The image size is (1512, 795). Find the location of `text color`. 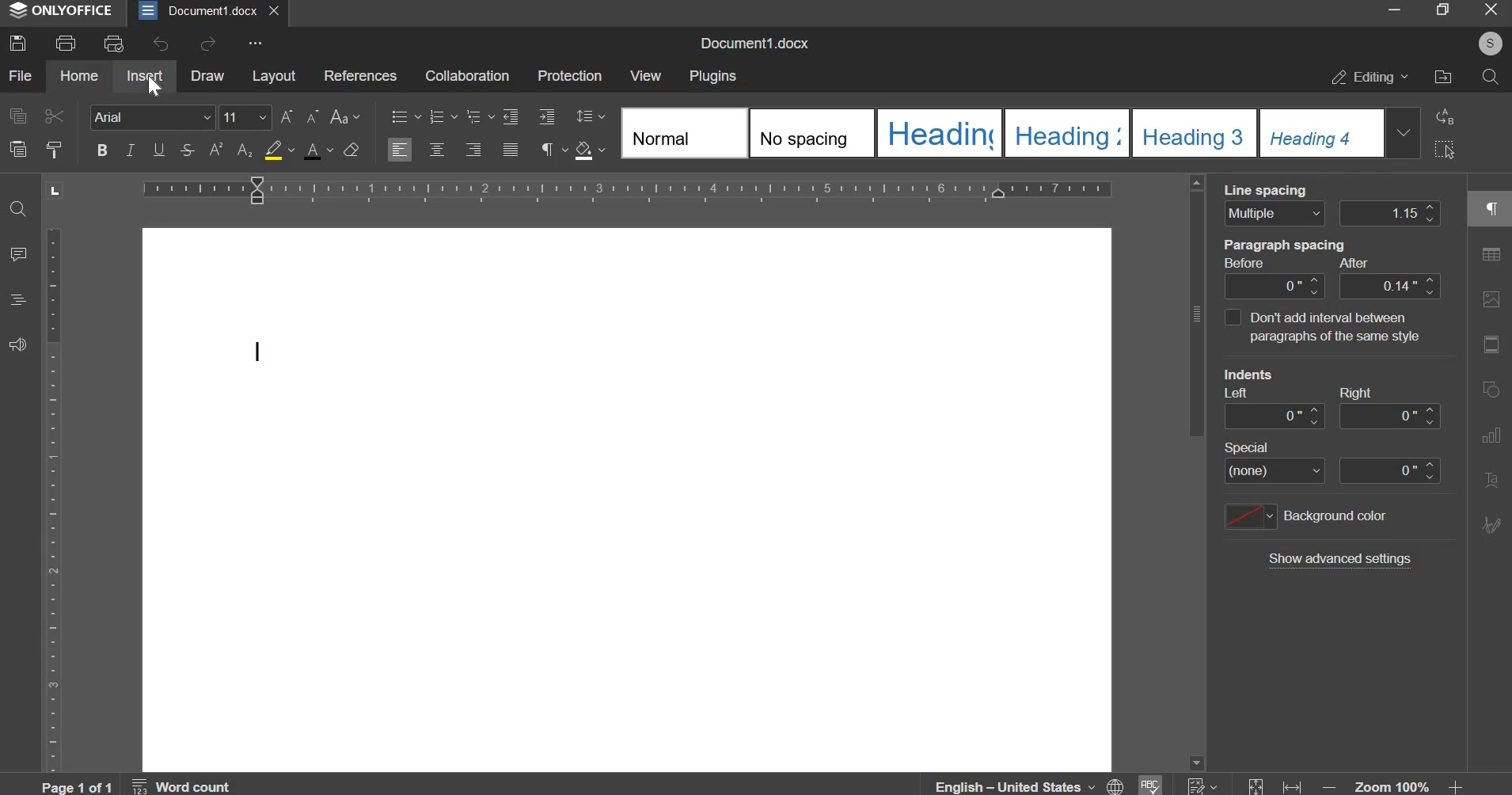

text color is located at coordinates (317, 150).